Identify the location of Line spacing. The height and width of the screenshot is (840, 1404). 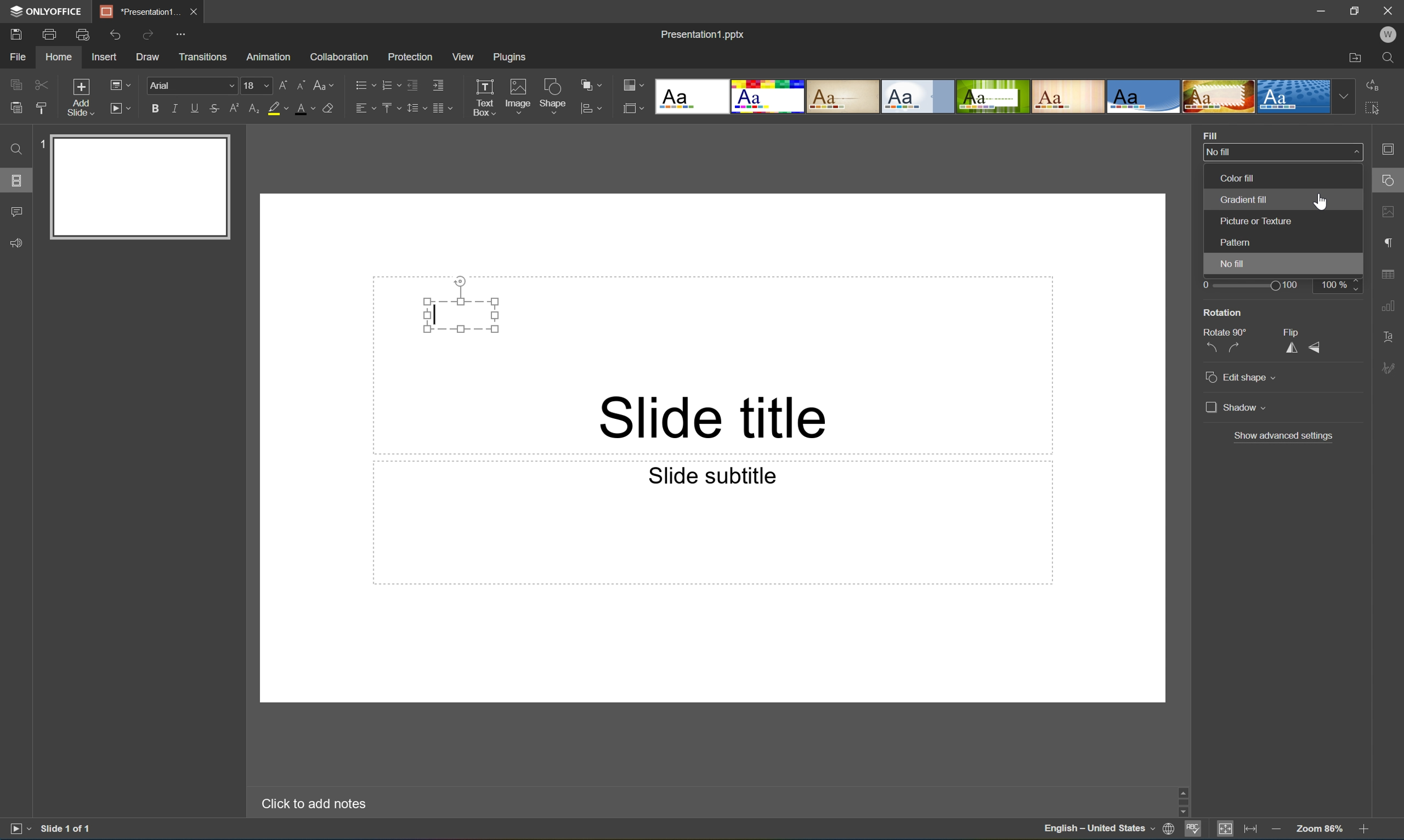
(415, 108).